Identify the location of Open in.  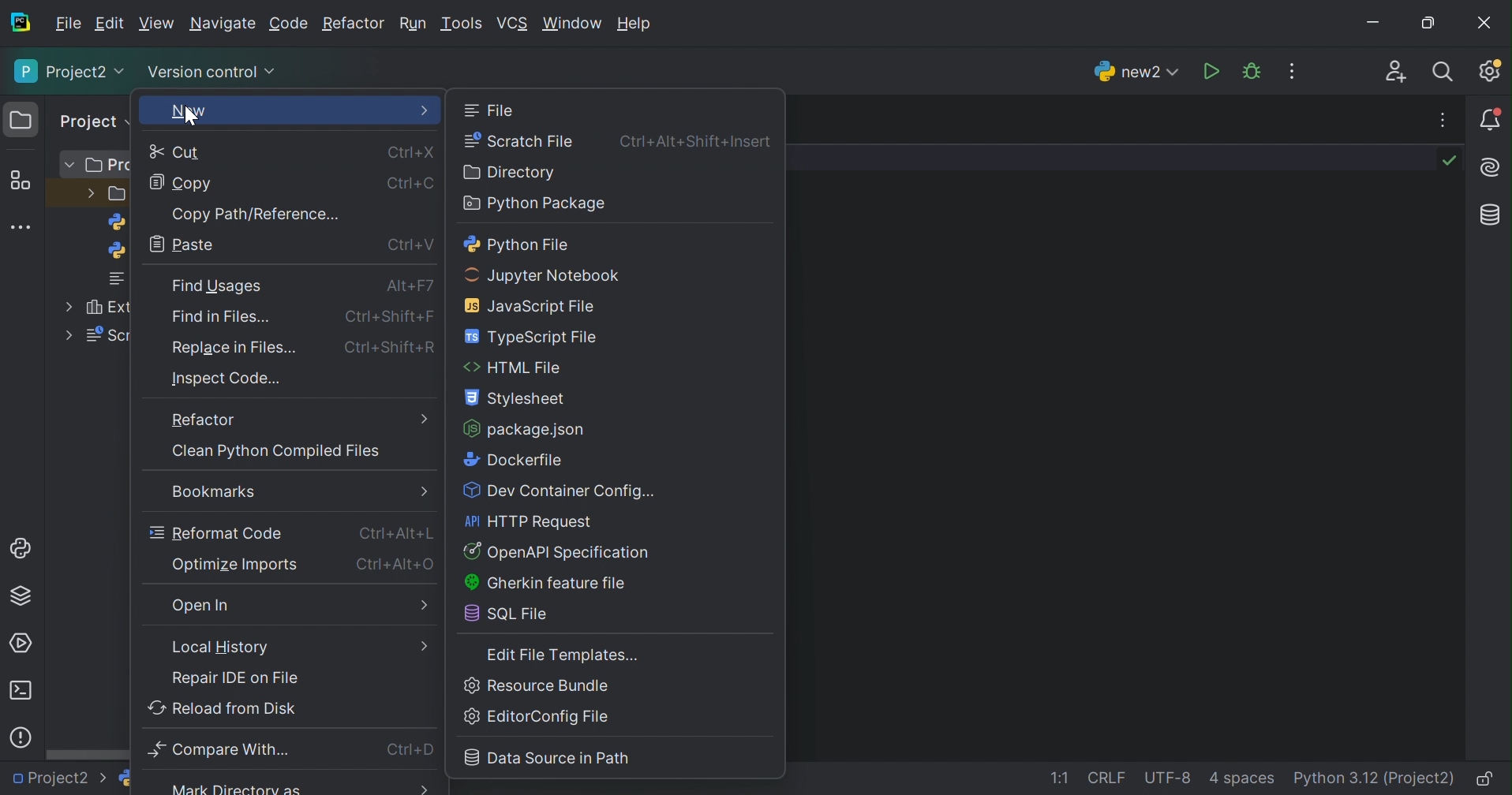
(201, 607).